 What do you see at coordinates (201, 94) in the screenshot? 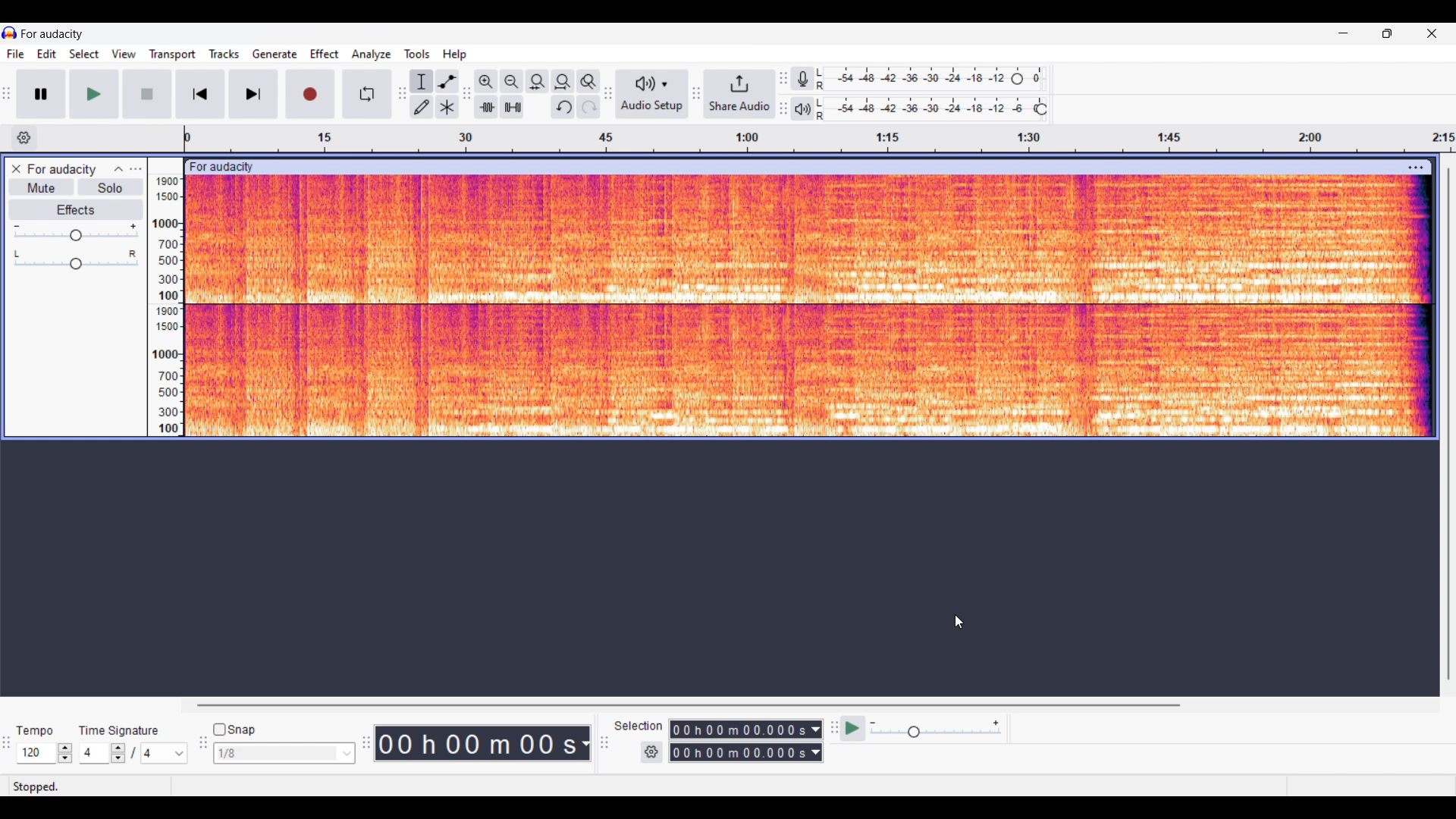
I see `Skip/Select to start` at bounding box center [201, 94].